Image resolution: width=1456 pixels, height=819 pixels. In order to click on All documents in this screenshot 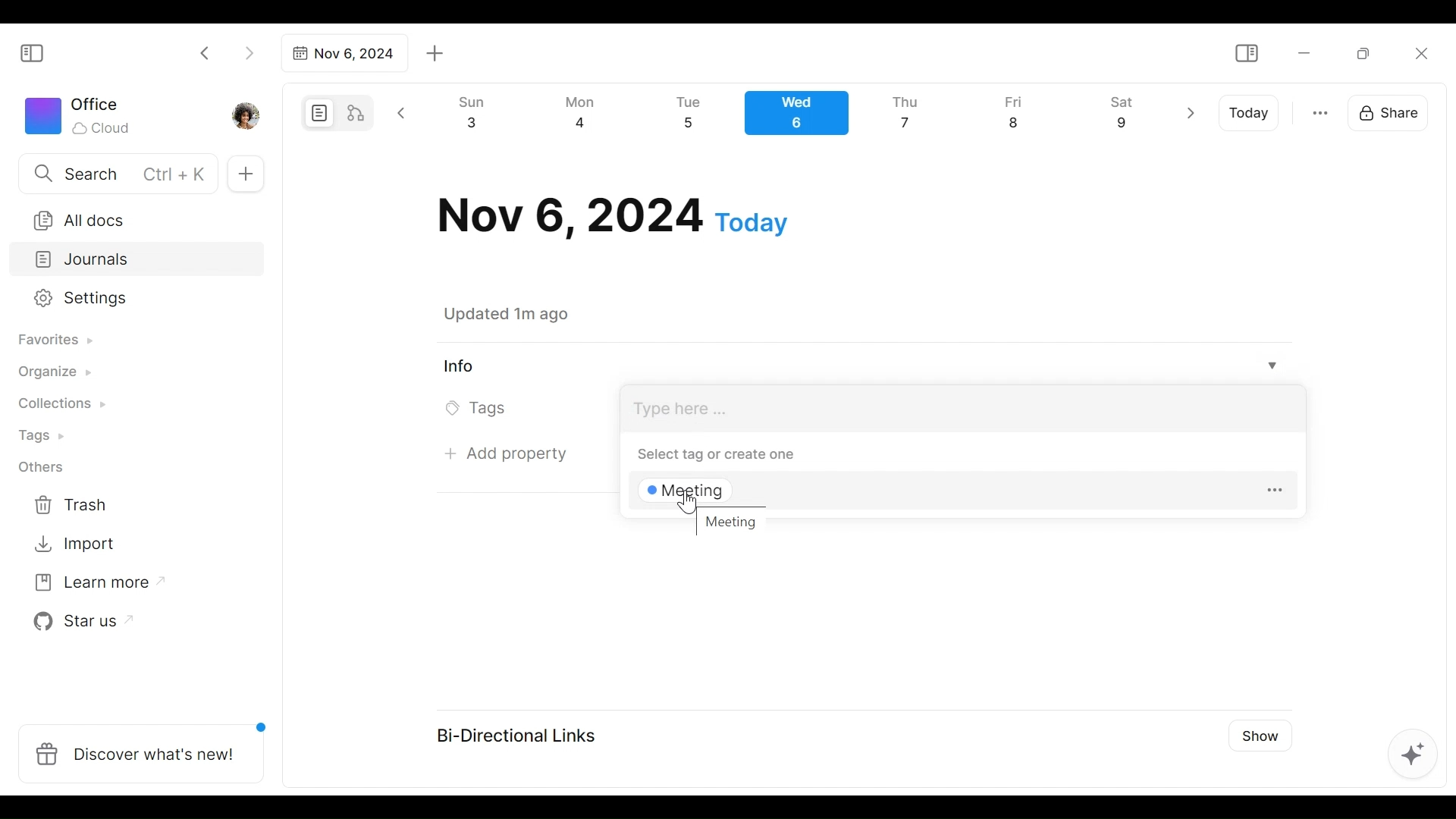, I will do `click(131, 218)`.